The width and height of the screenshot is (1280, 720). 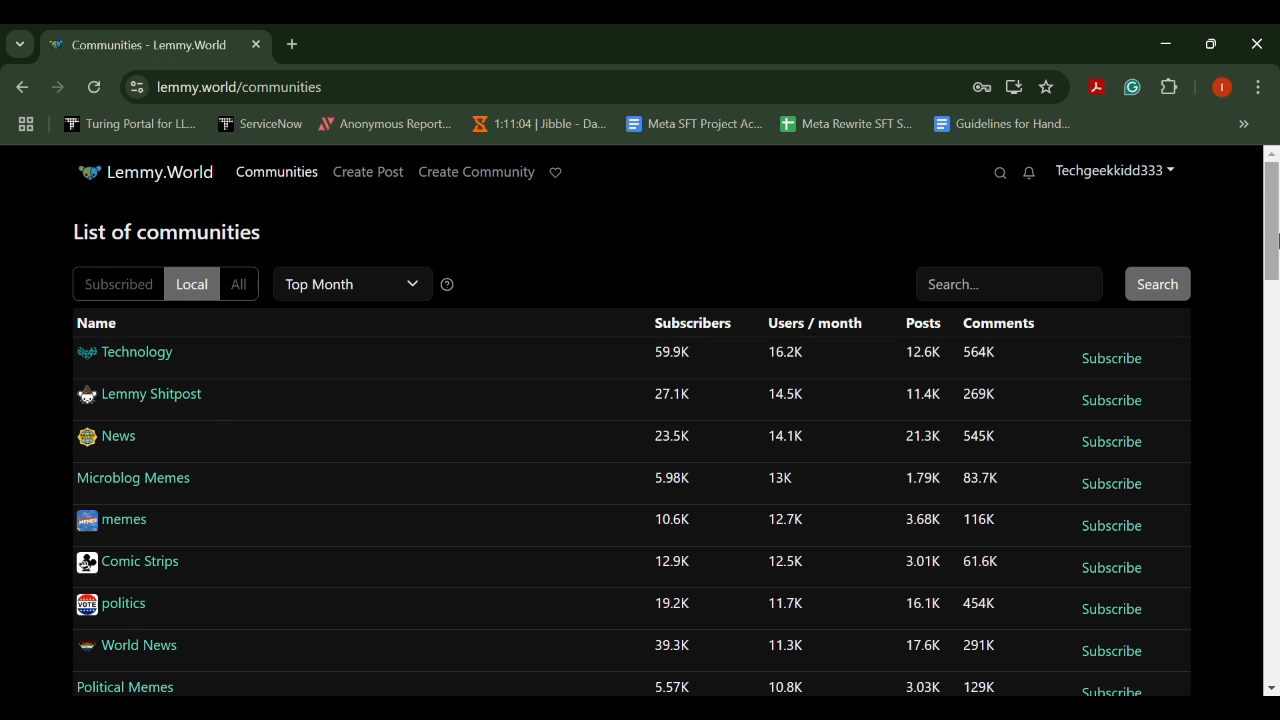 I want to click on 12.9K, so click(x=674, y=563).